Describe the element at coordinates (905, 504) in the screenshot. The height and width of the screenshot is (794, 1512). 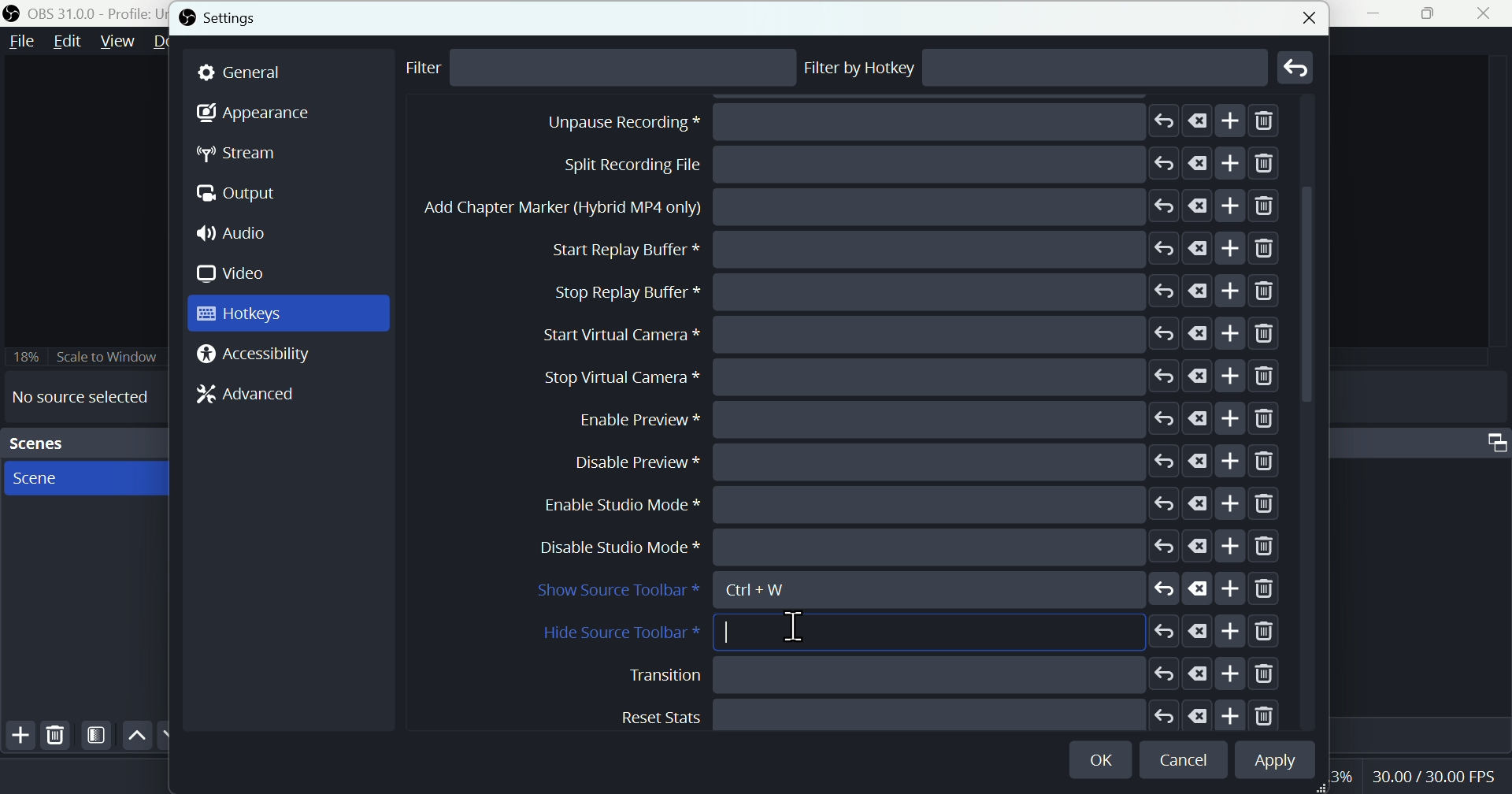
I see `start virtual camera` at that location.